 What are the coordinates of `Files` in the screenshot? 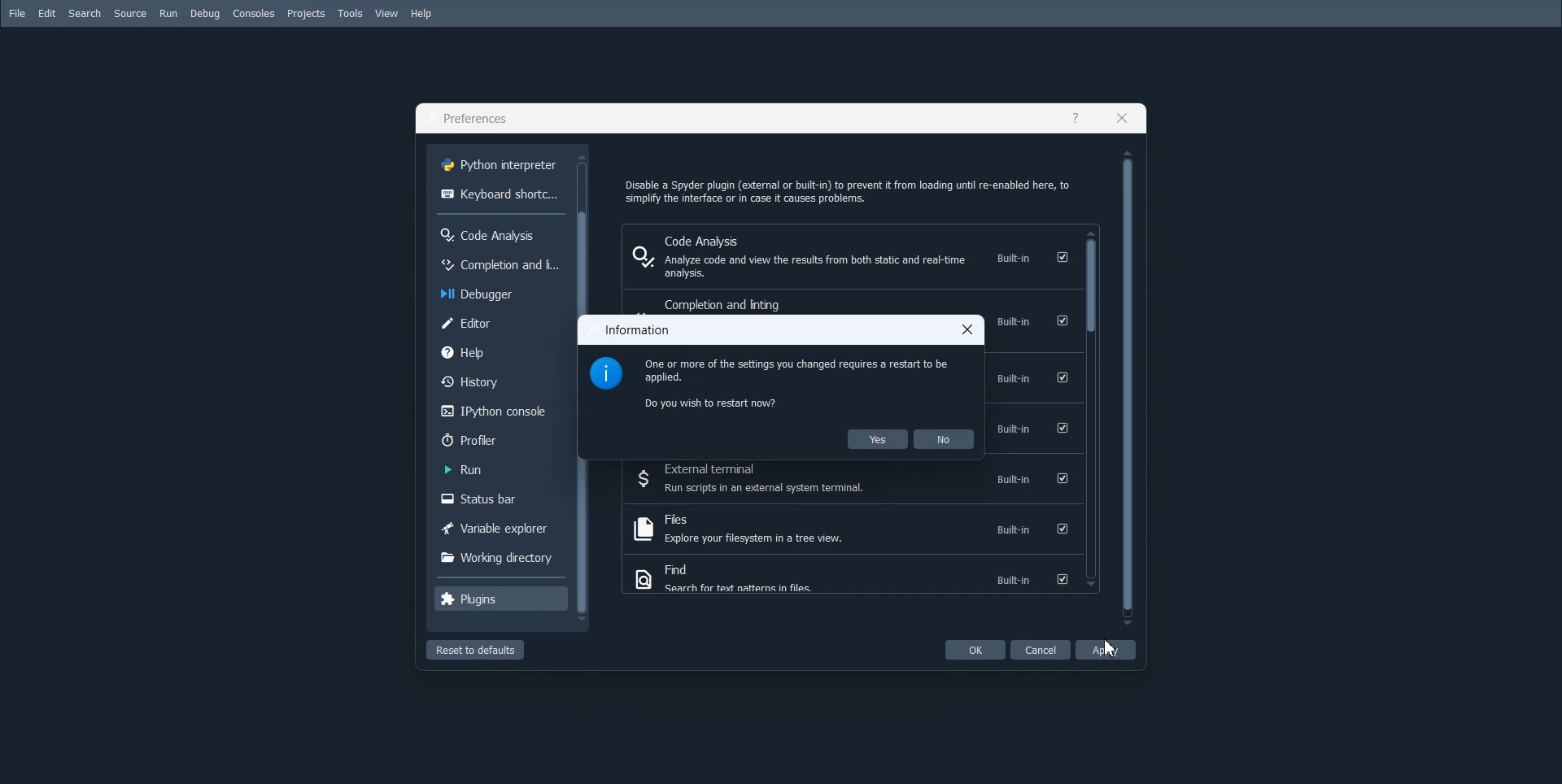 It's located at (852, 528).